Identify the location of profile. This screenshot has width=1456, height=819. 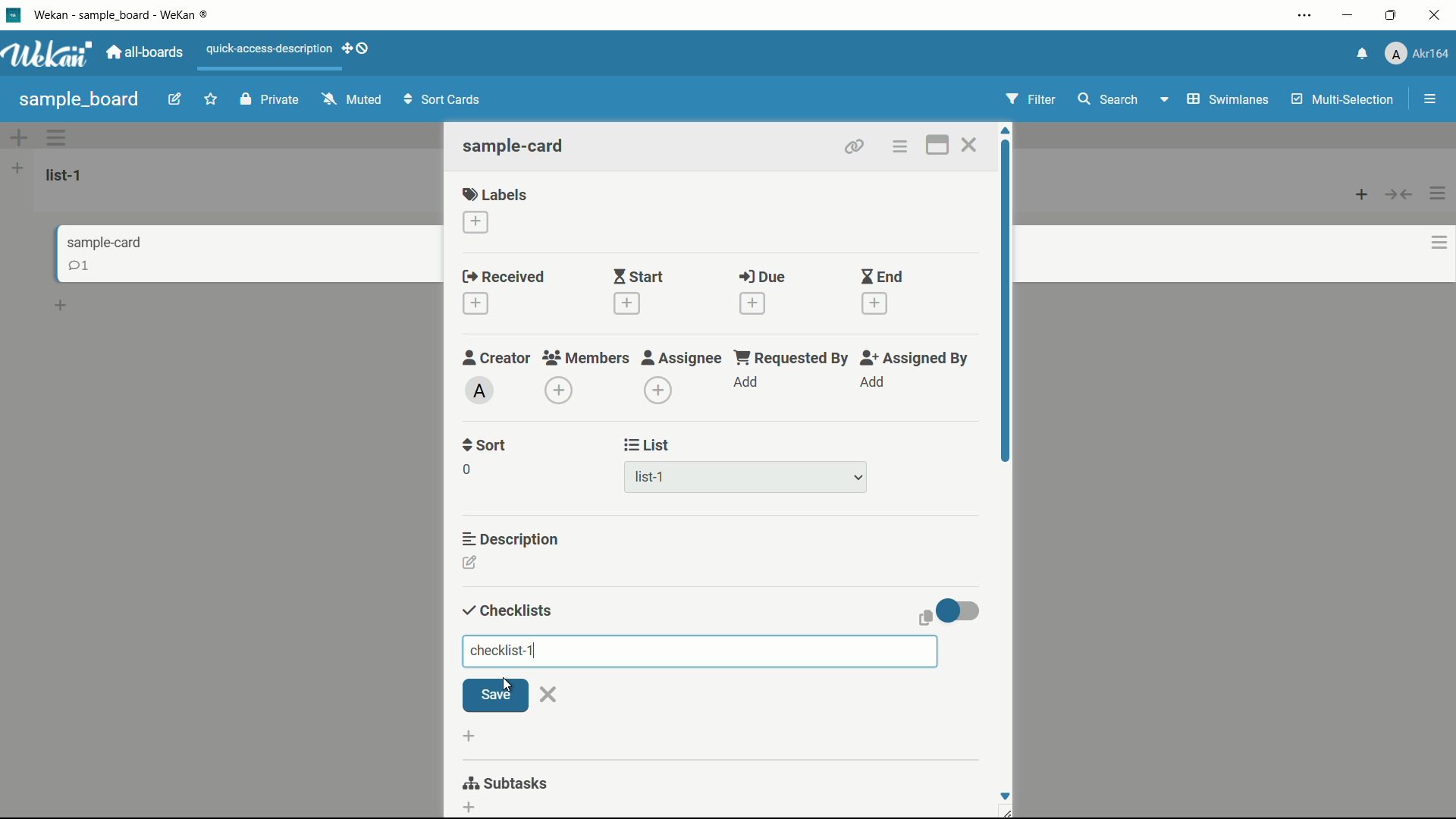
(1418, 55).